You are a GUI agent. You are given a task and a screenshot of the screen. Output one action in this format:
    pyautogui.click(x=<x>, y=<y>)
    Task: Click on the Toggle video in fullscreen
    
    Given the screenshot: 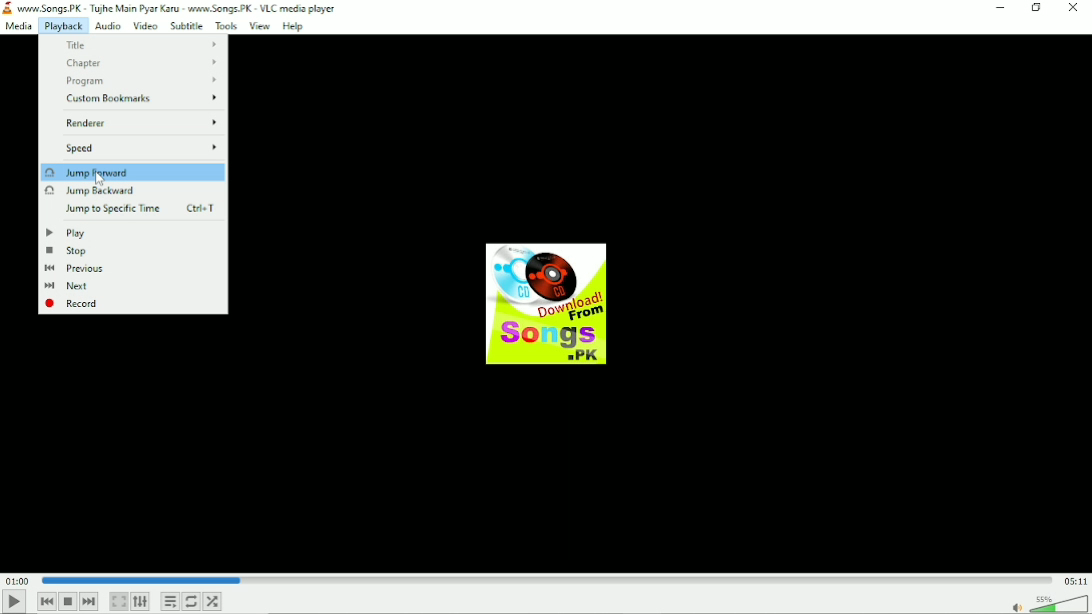 What is the action you would take?
    pyautogui.click(x=119, y=602)
    